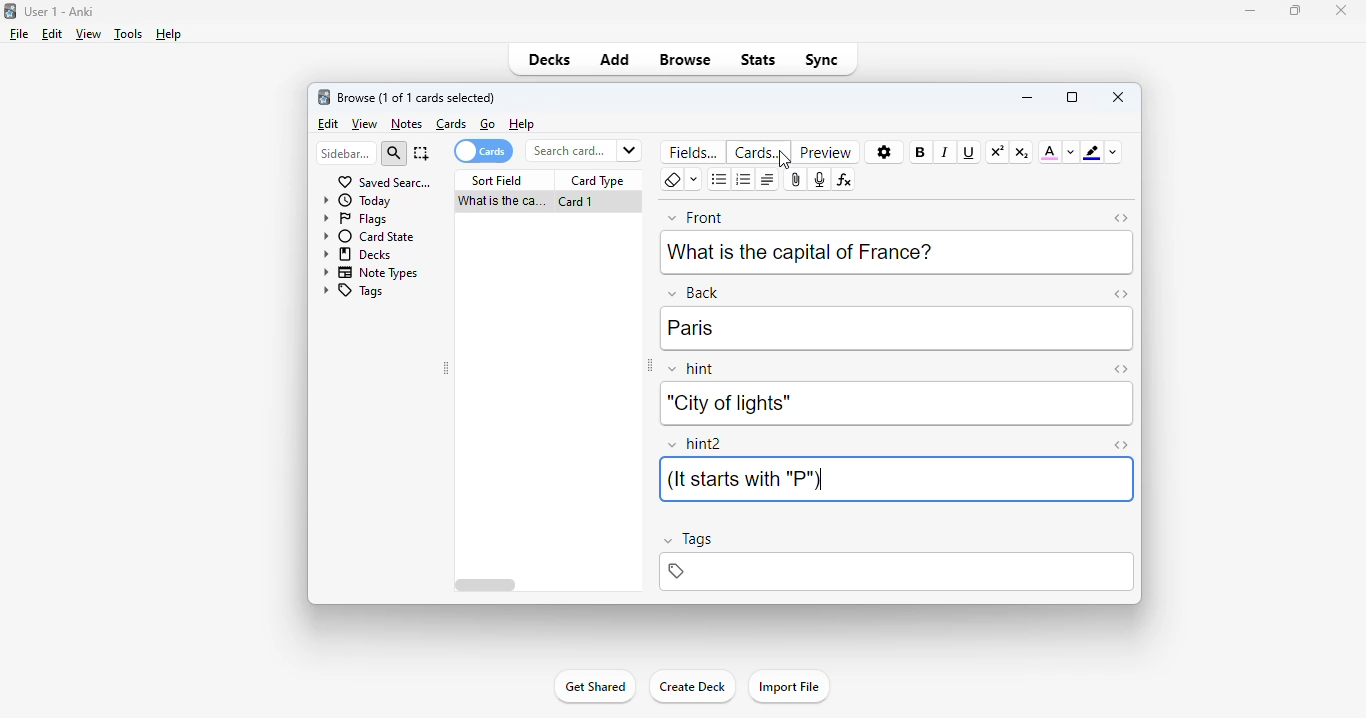 The height and width of the screenshot is (718, 1366). What do you see at coordinates (796, 180) in the screenshot?
I see `attach pictures/audio/video` at bounding box center [796, 180].